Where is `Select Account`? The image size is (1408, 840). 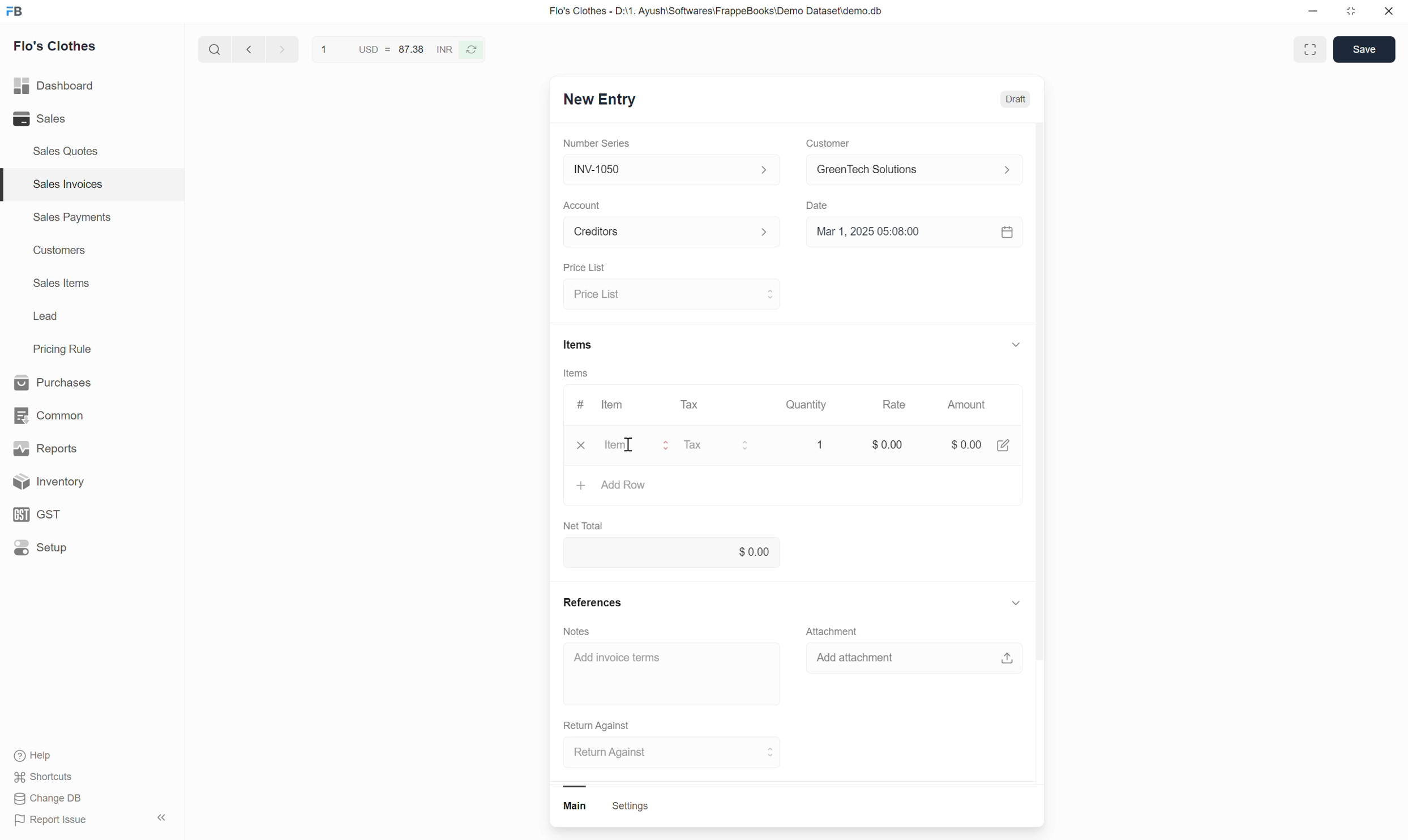 Select Account is located at coordinates (666, 235).